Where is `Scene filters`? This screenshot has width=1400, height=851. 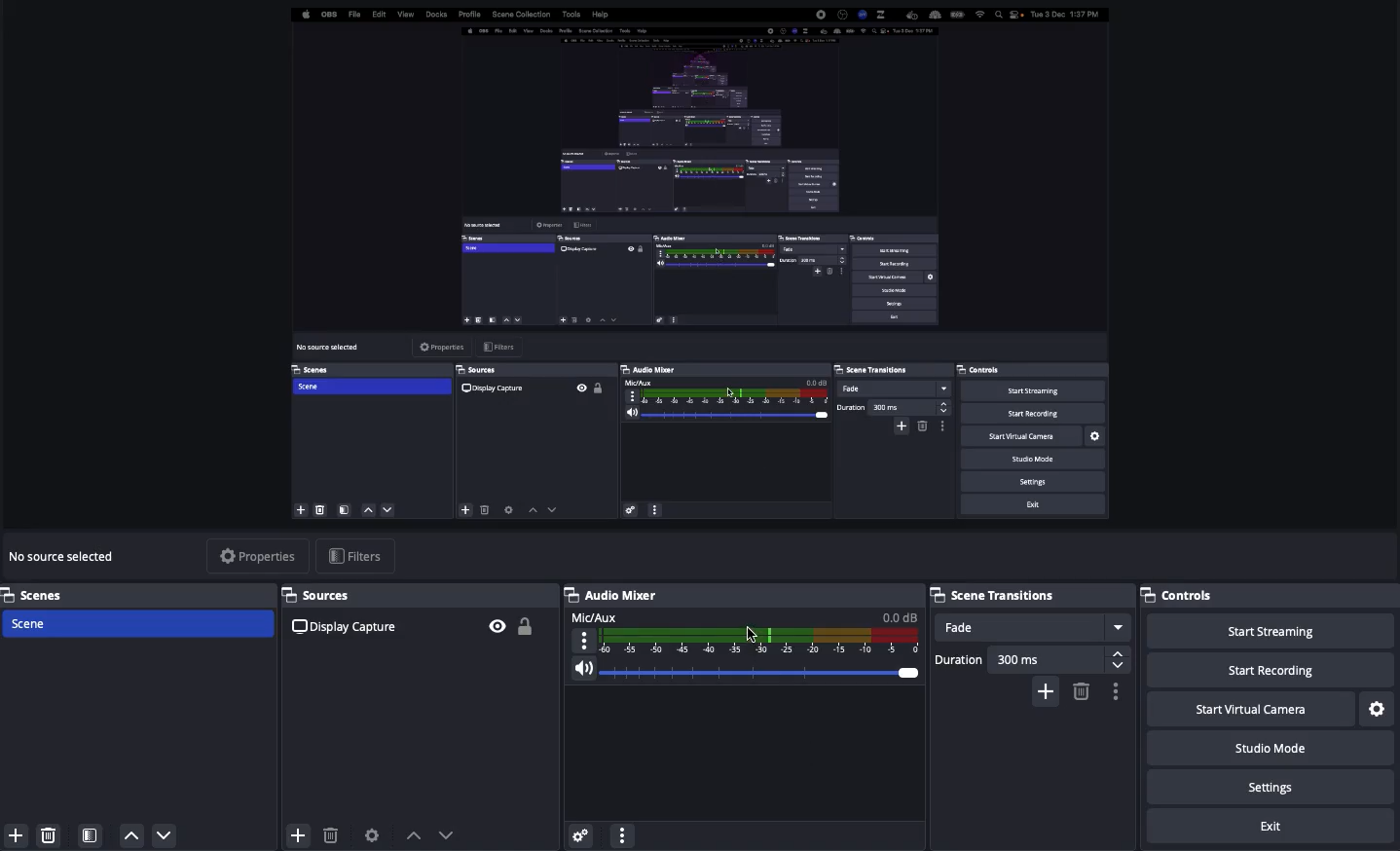 Scene filters is located at coordinates (91, 832).